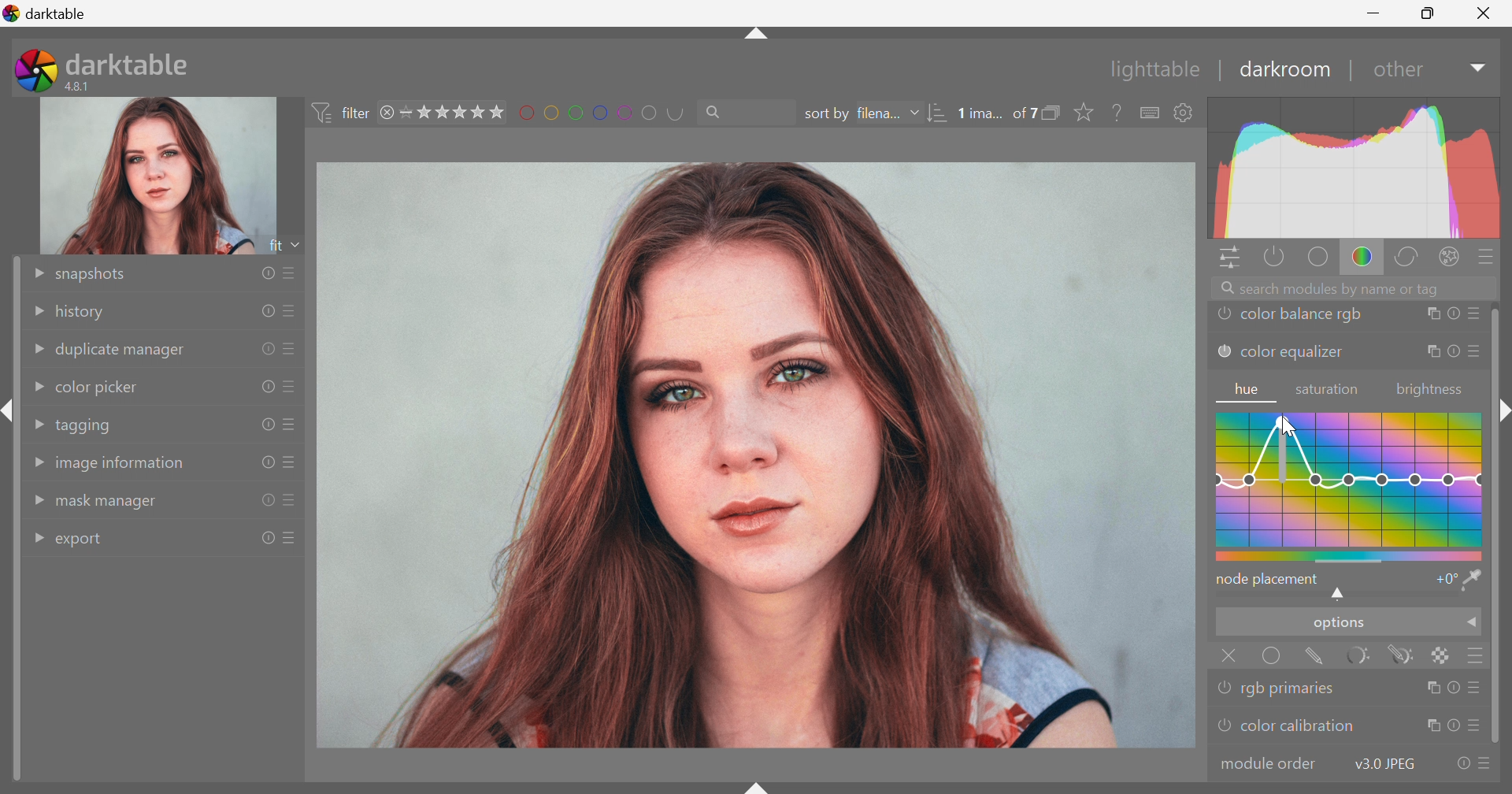 The height and width of the screenshot is (794, 1512). I want to click on darktable, so click(130, 61).